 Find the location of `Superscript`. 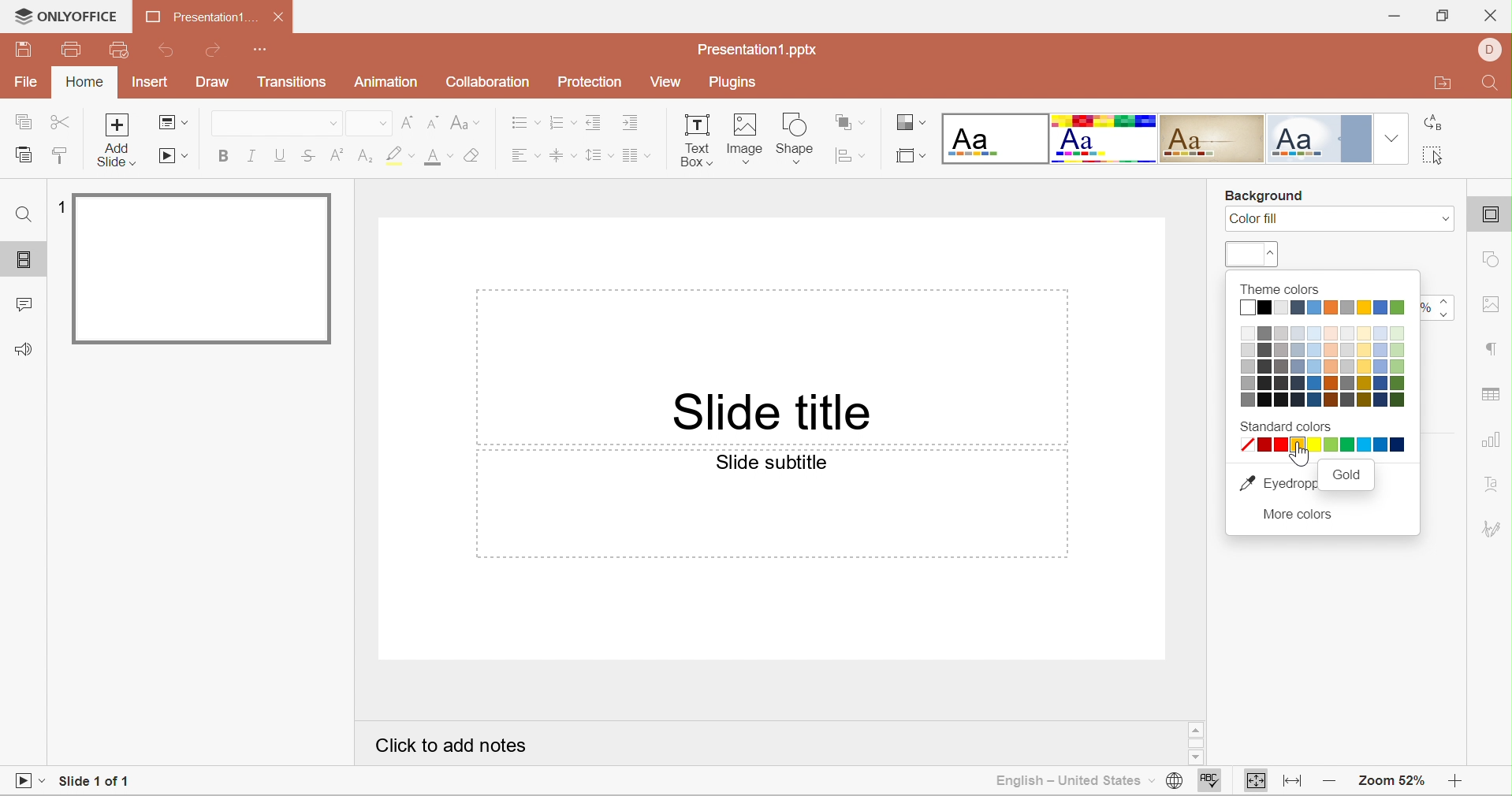

Superscript is located at coordinates (337, 156).